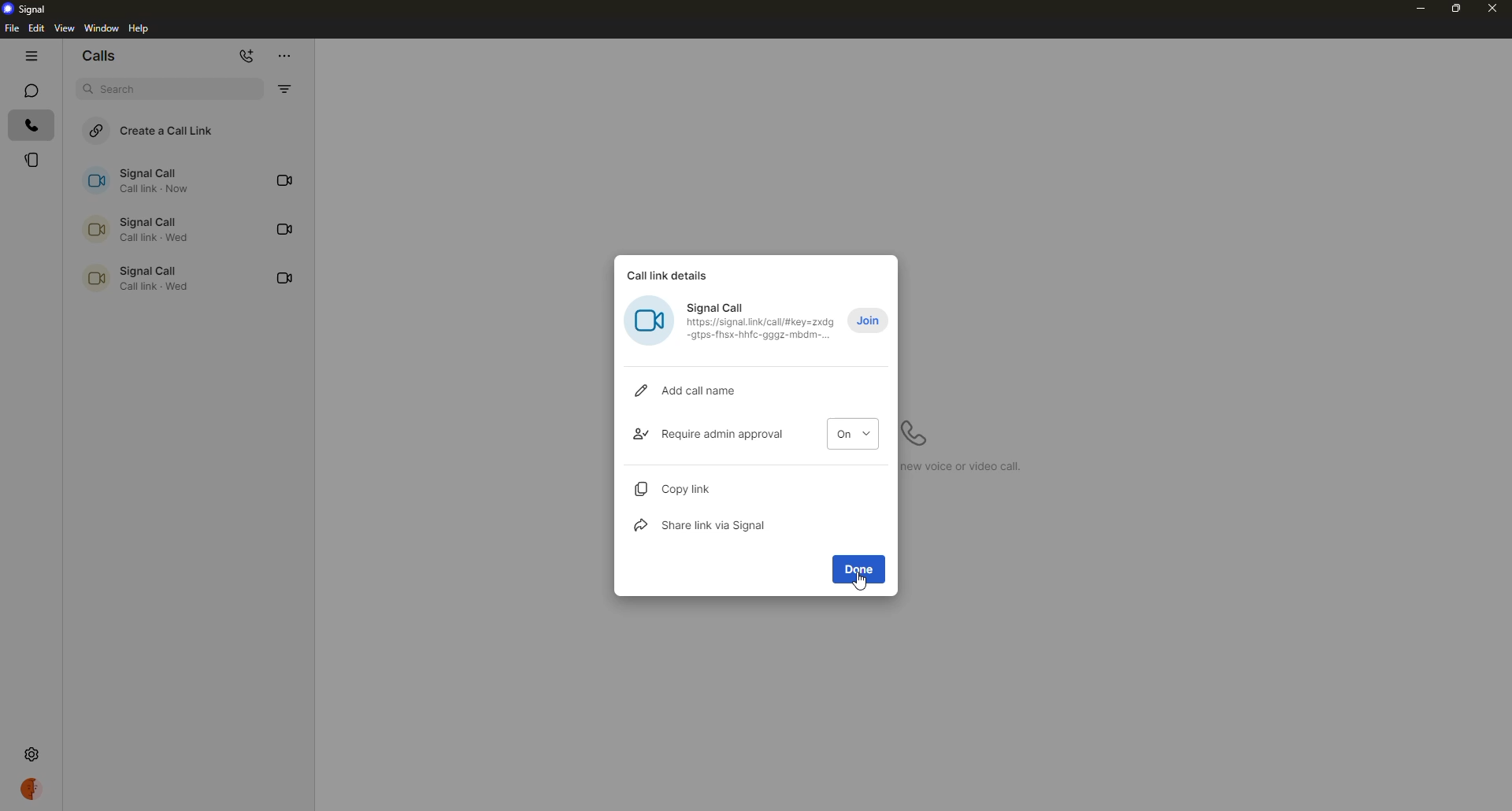 The image size is (1512, 811). What do you see at coordinates (27, 9) in the screenshot?
I see `signal` at bounding box center [27, 9].